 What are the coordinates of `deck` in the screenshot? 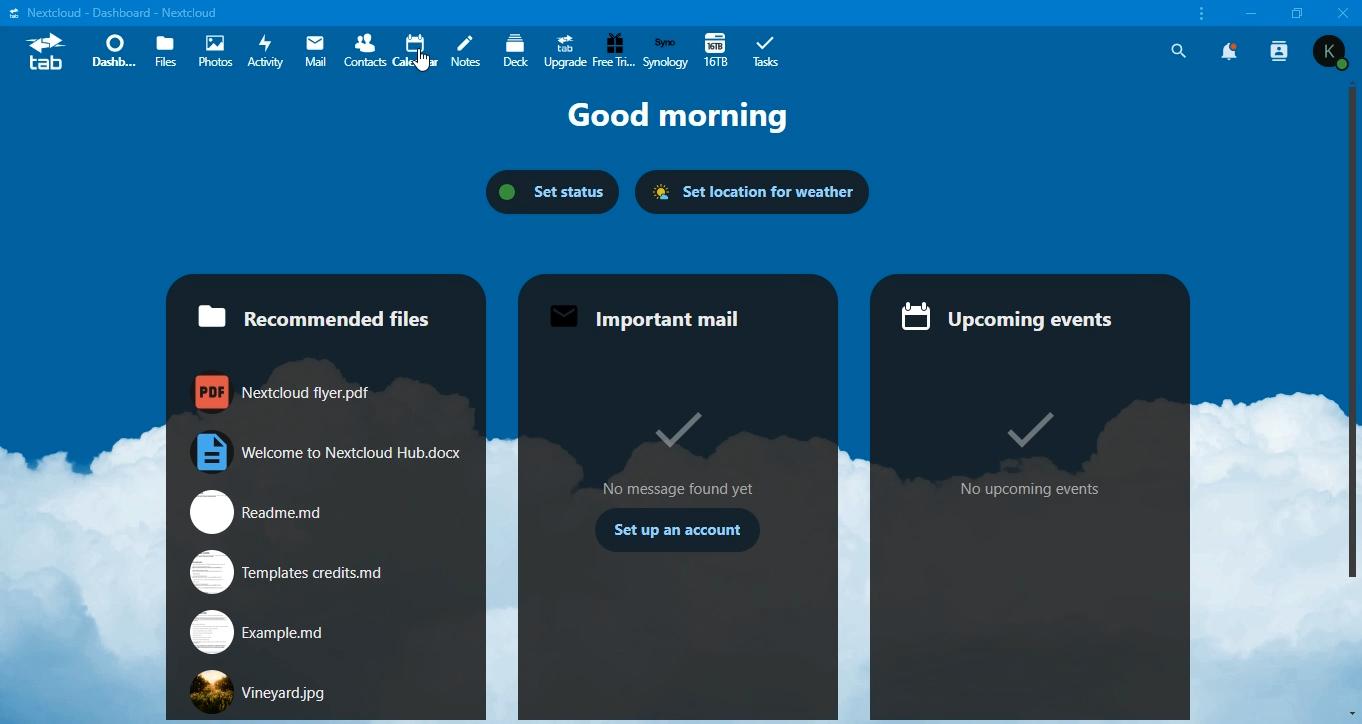 It's located at (517, 51).